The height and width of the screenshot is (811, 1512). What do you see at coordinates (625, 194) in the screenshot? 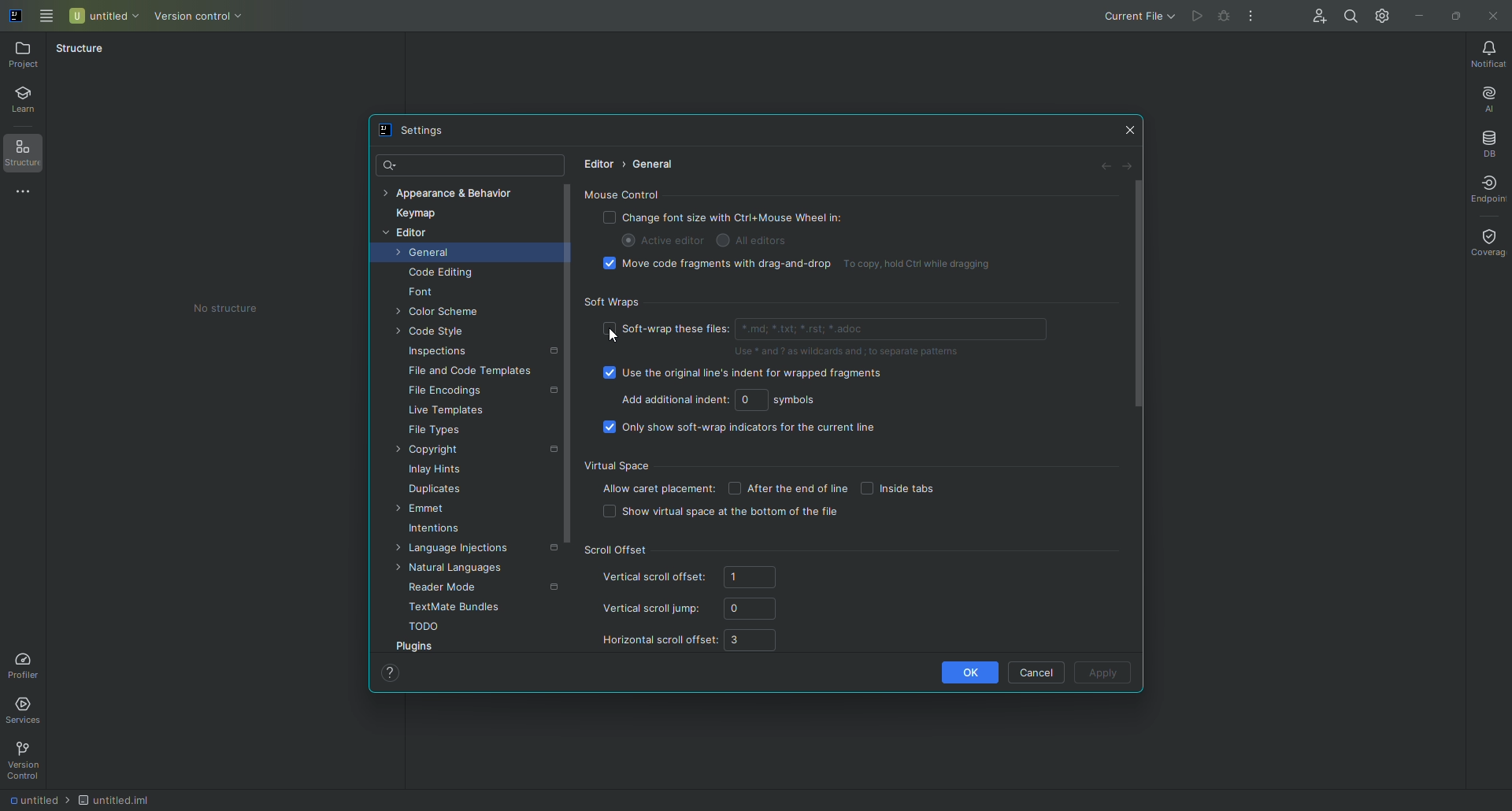
I see `Mouse Control` at bounding box center [625, 194].